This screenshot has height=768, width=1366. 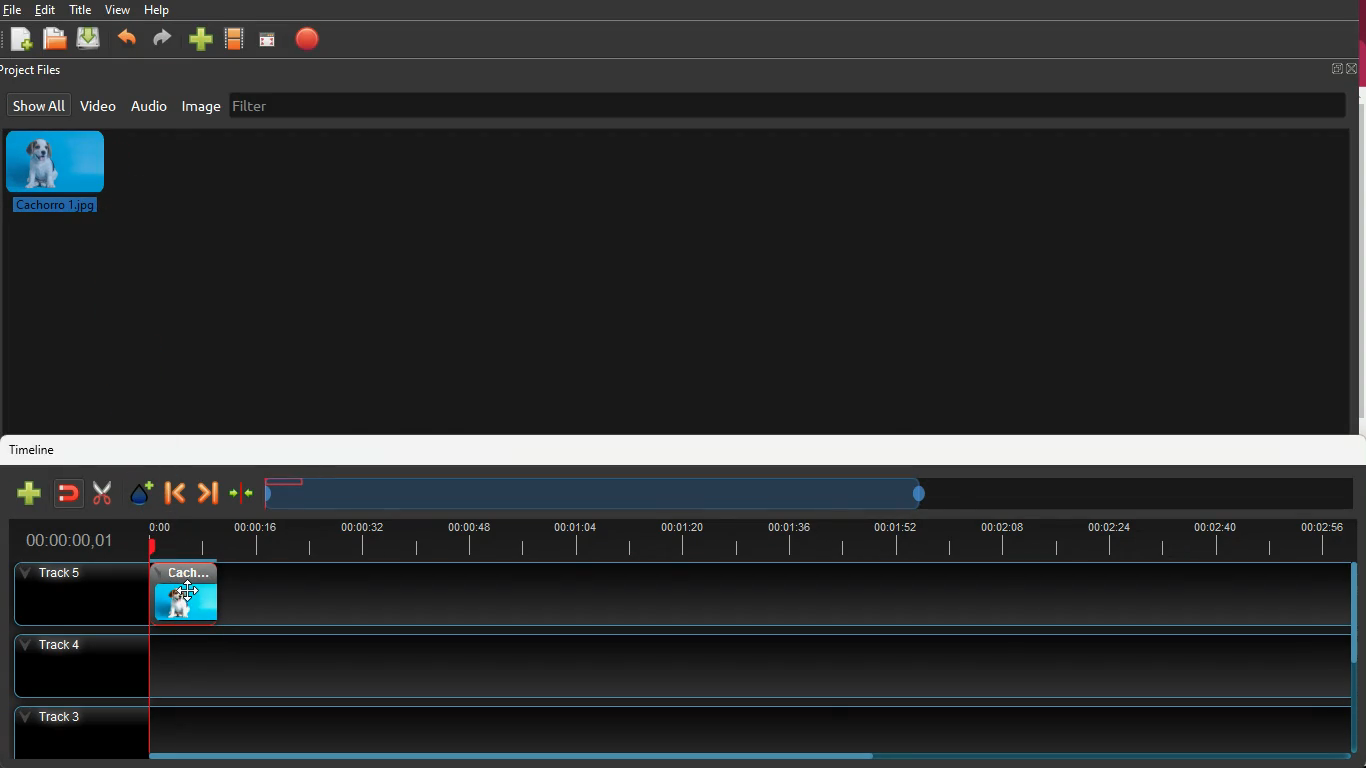 I want to click on video, so click(x=184, y=590).